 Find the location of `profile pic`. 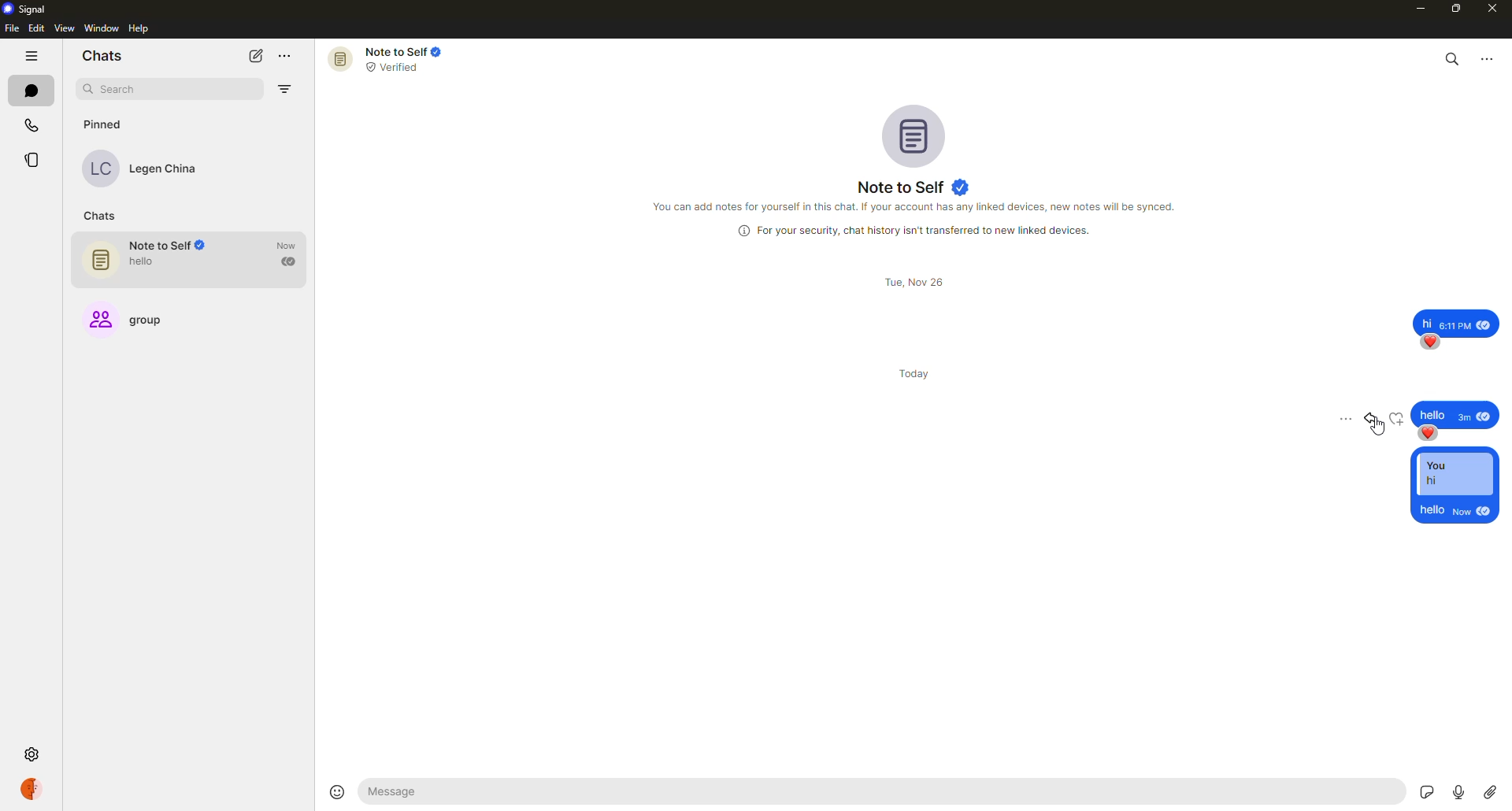

profile pic is located at coordinates (912, 131).